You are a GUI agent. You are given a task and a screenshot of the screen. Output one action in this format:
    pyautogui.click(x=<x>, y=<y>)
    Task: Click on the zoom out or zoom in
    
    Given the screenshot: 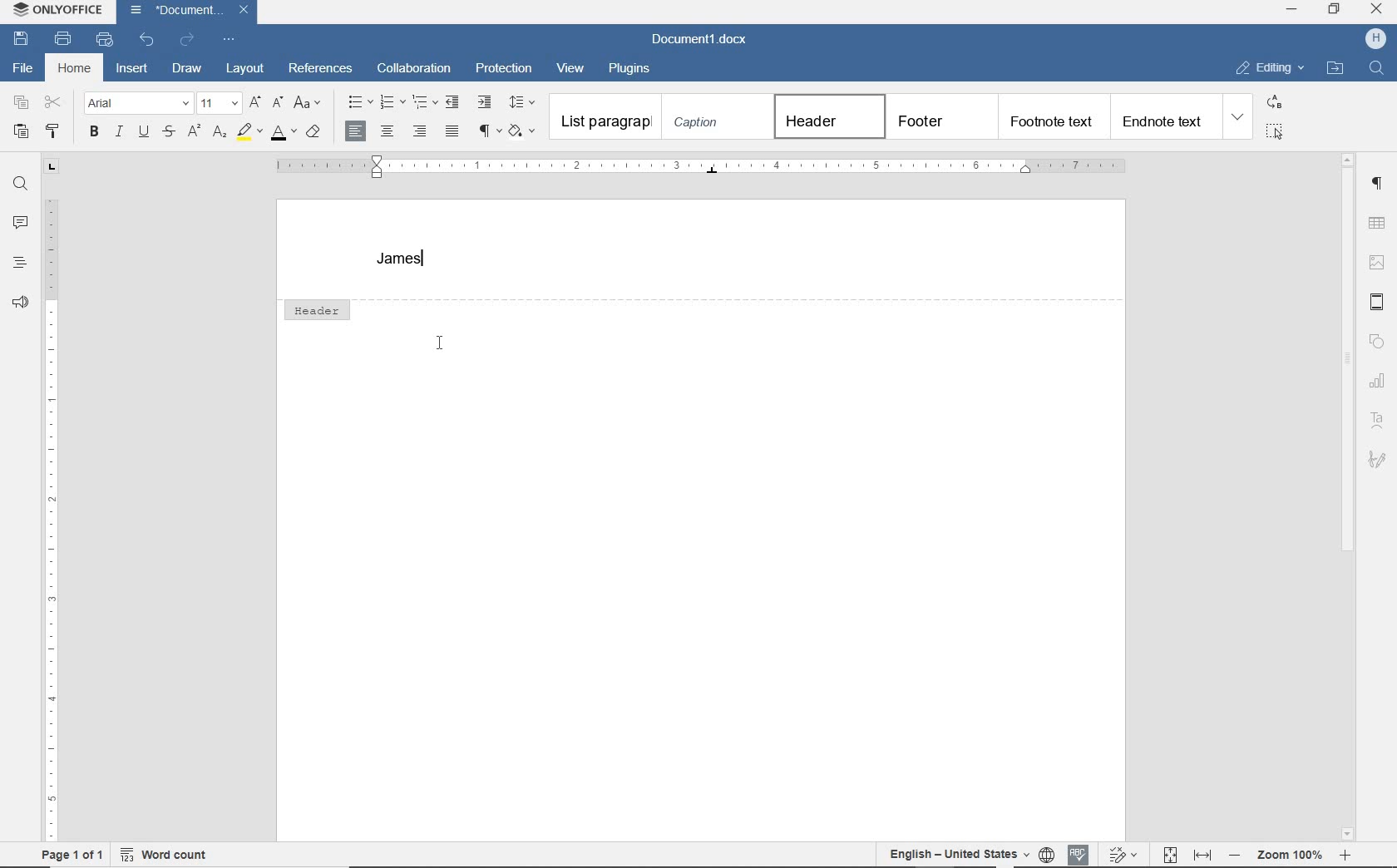 What is the action you would take?
    pyautogui.click(x=1292, y=854)
    